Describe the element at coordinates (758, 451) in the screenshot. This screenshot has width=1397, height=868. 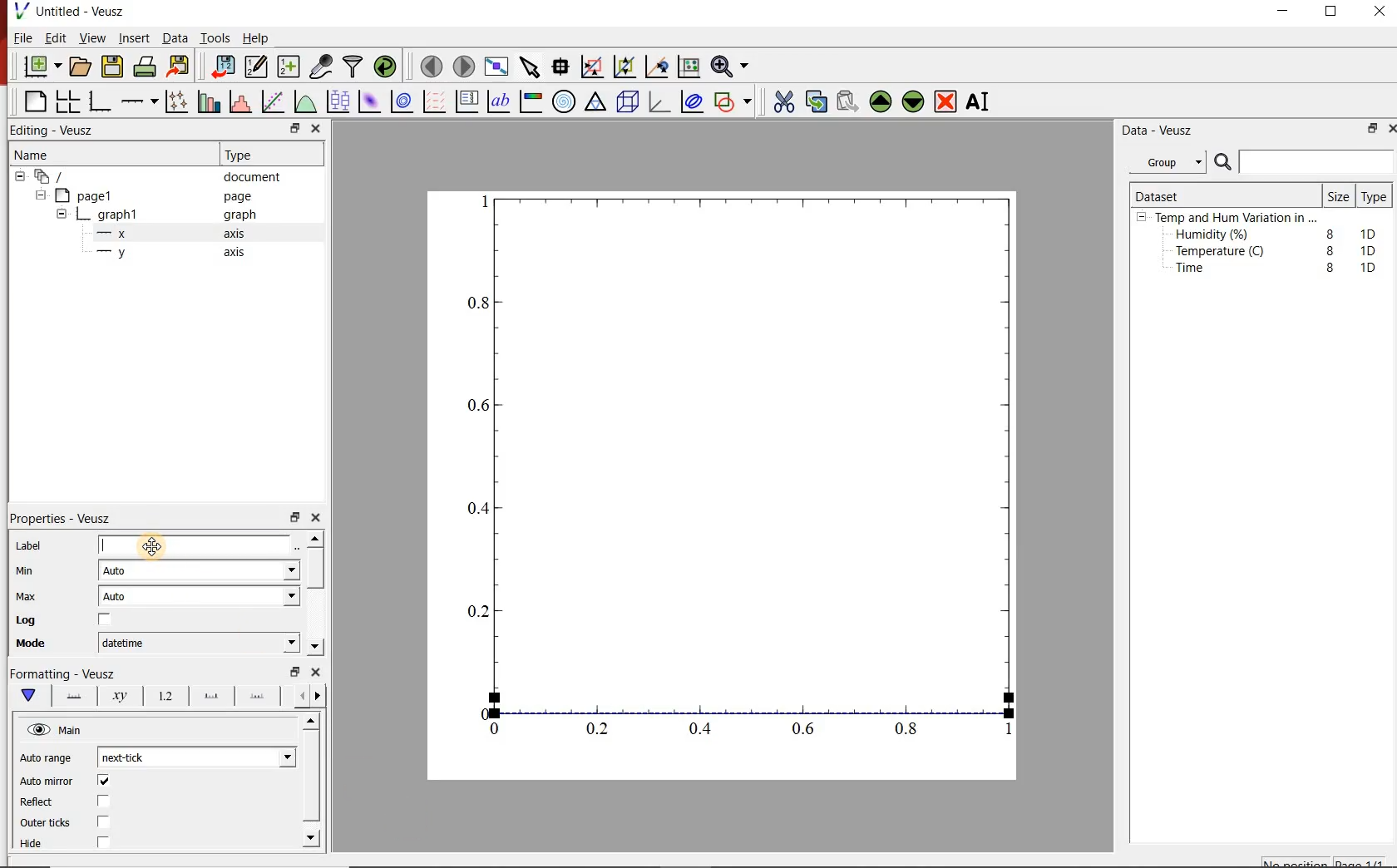
I see `Graph` at that location.